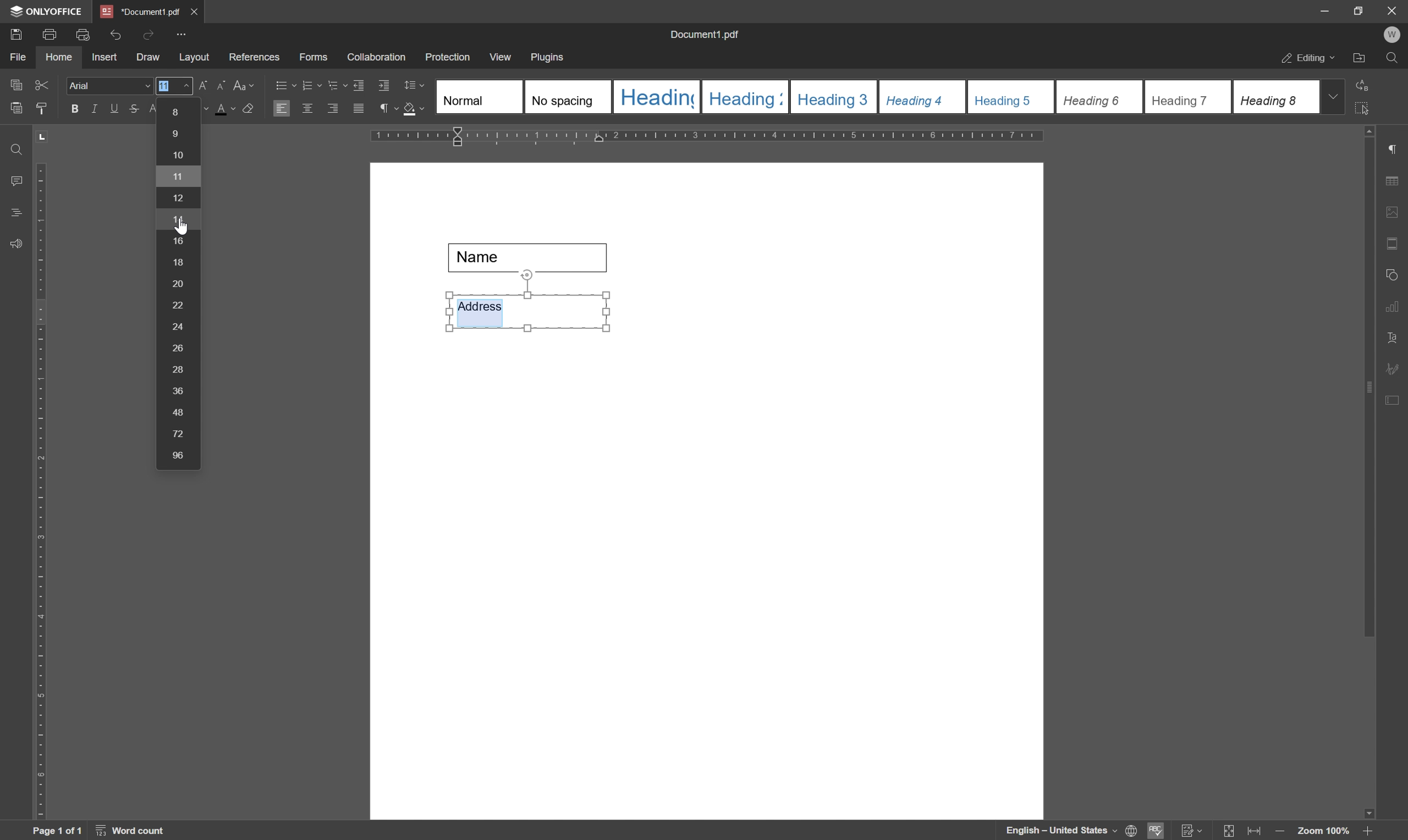 The image size is (1408, 840). I want to click on Address selected, so click(481, 311).